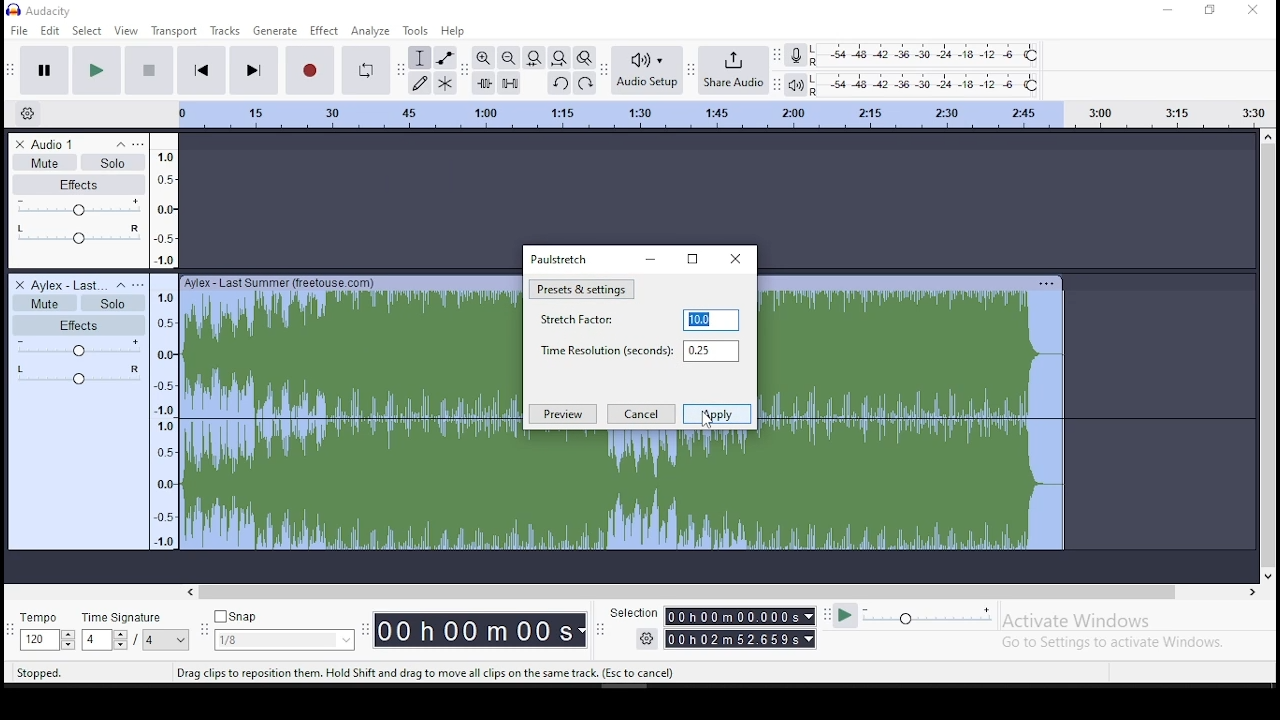  Describe the element at coordinates (345, 412) in the screenshot. I see `audio track` at that location.